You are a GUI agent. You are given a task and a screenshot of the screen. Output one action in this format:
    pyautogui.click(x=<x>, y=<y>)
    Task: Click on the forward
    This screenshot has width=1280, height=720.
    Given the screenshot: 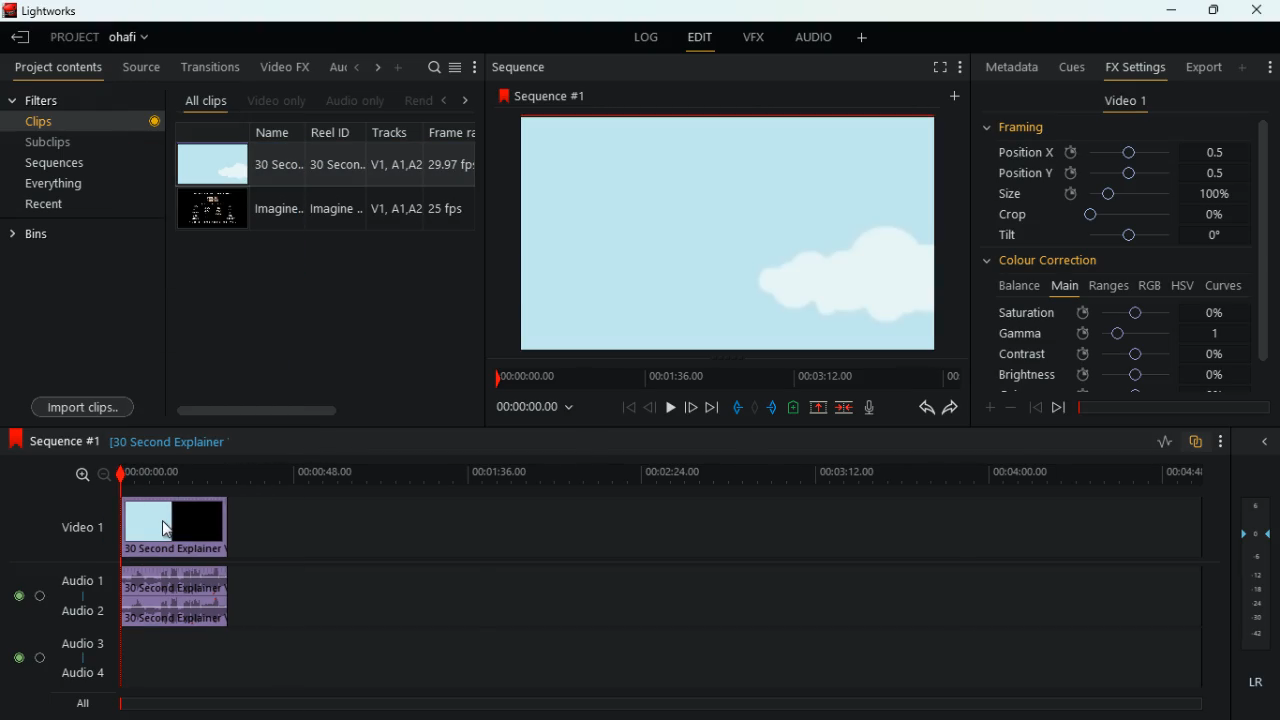 What is the action you would take?
    pyautogui.click(x=951, y=409)
    